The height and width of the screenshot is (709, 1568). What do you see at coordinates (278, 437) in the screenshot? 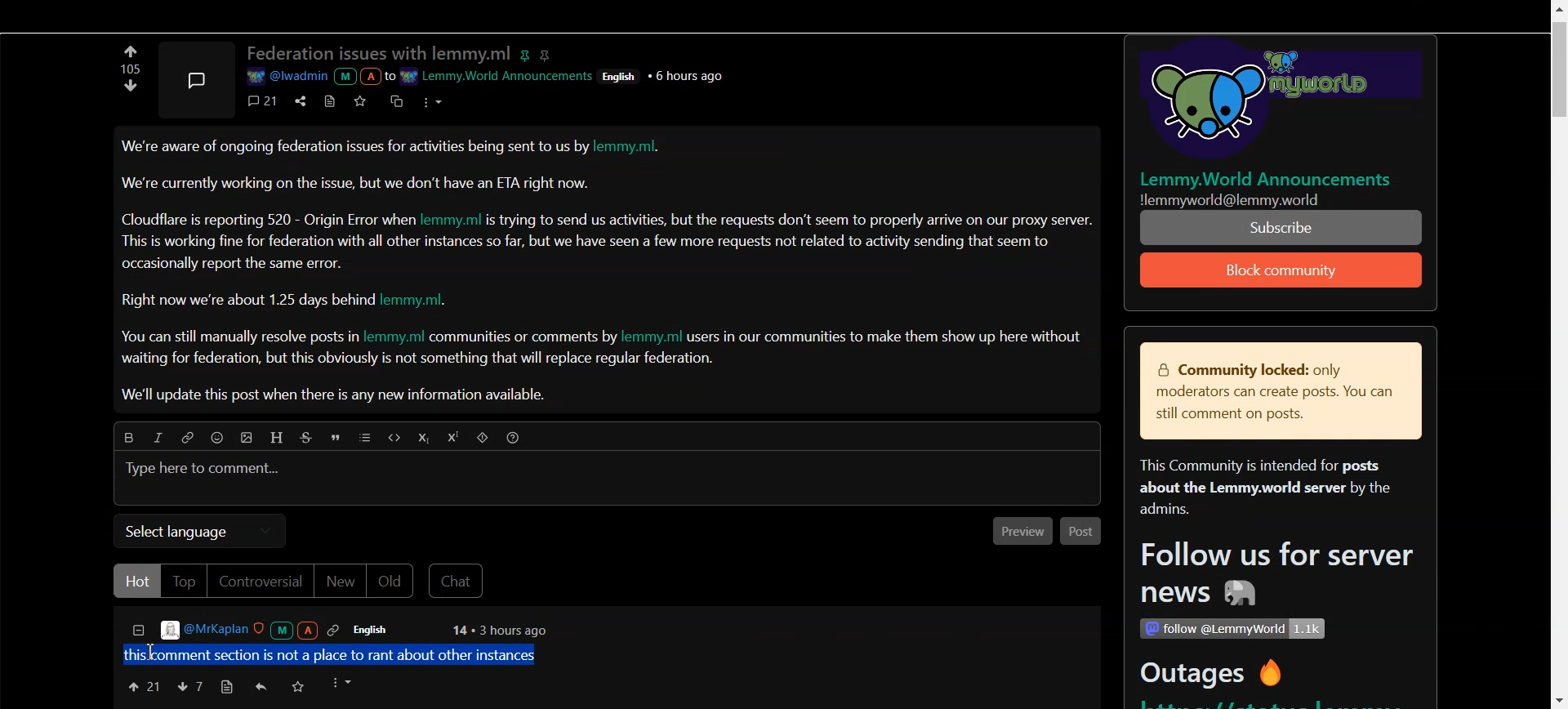
I see `Header` at bounding box center [278, 437].